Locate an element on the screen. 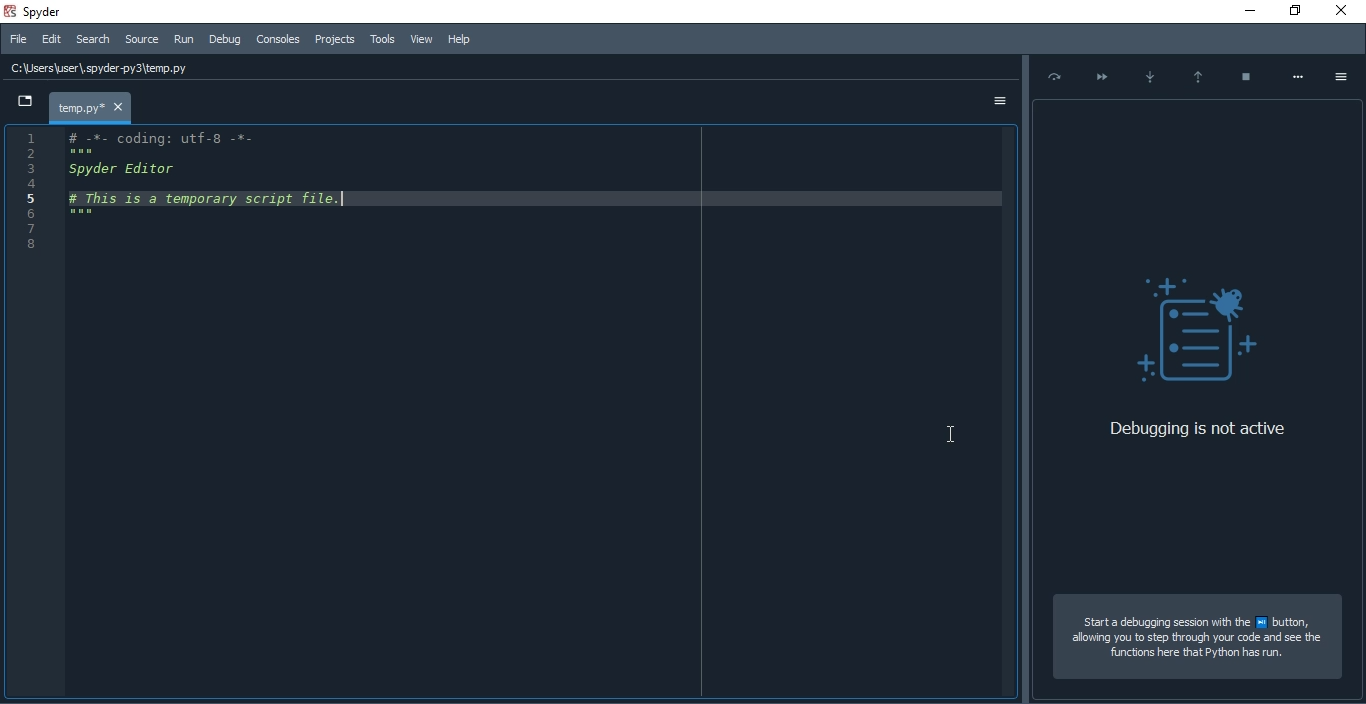  File  is located at coordinates (19, 38).